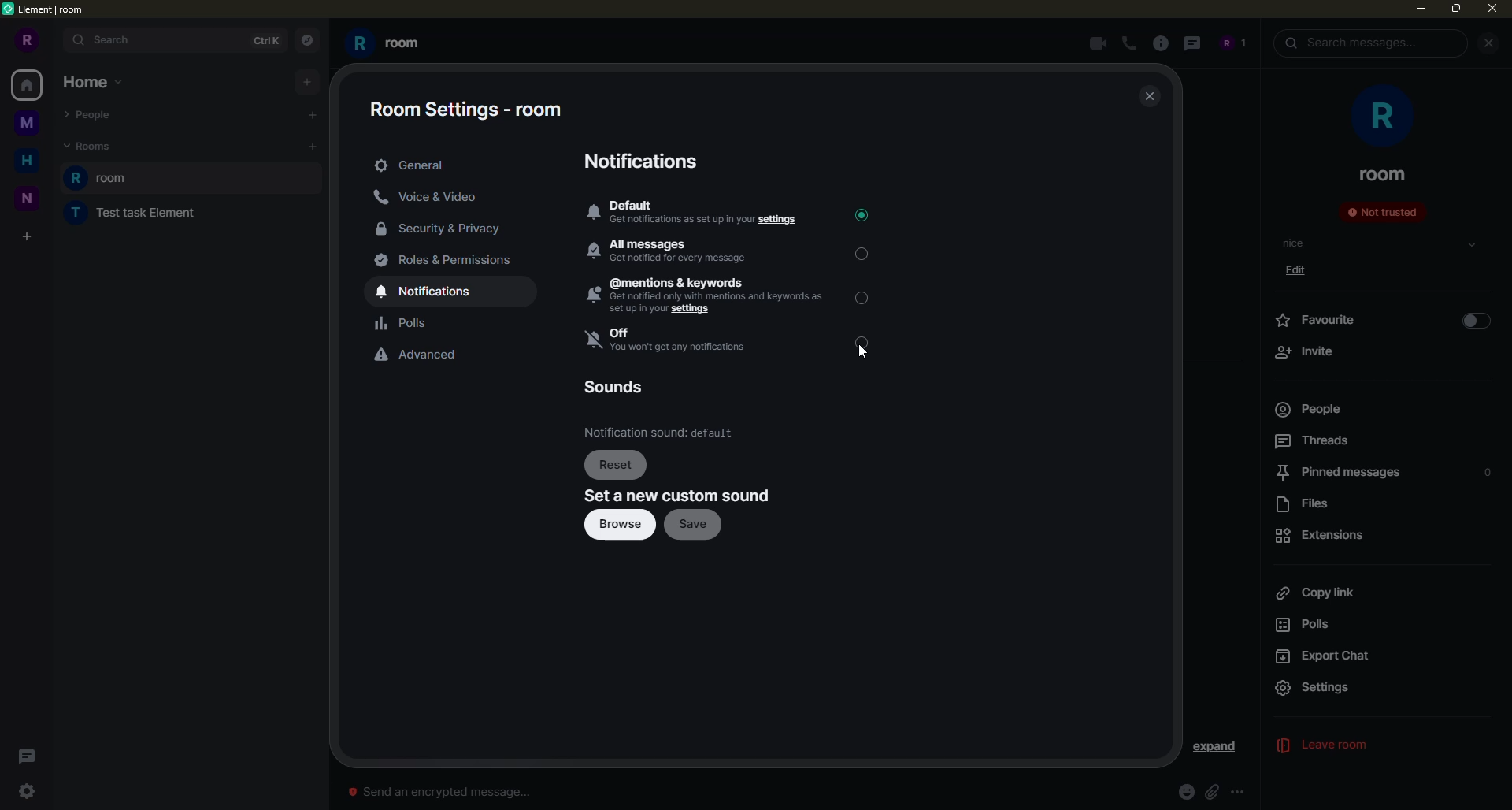 Image resolution: width=1512 pixels, height=810 pixels. What do you see at coordinates (680, 496) in the screenshot?
I see `set new custom sound` at bounding box center [680, 496].